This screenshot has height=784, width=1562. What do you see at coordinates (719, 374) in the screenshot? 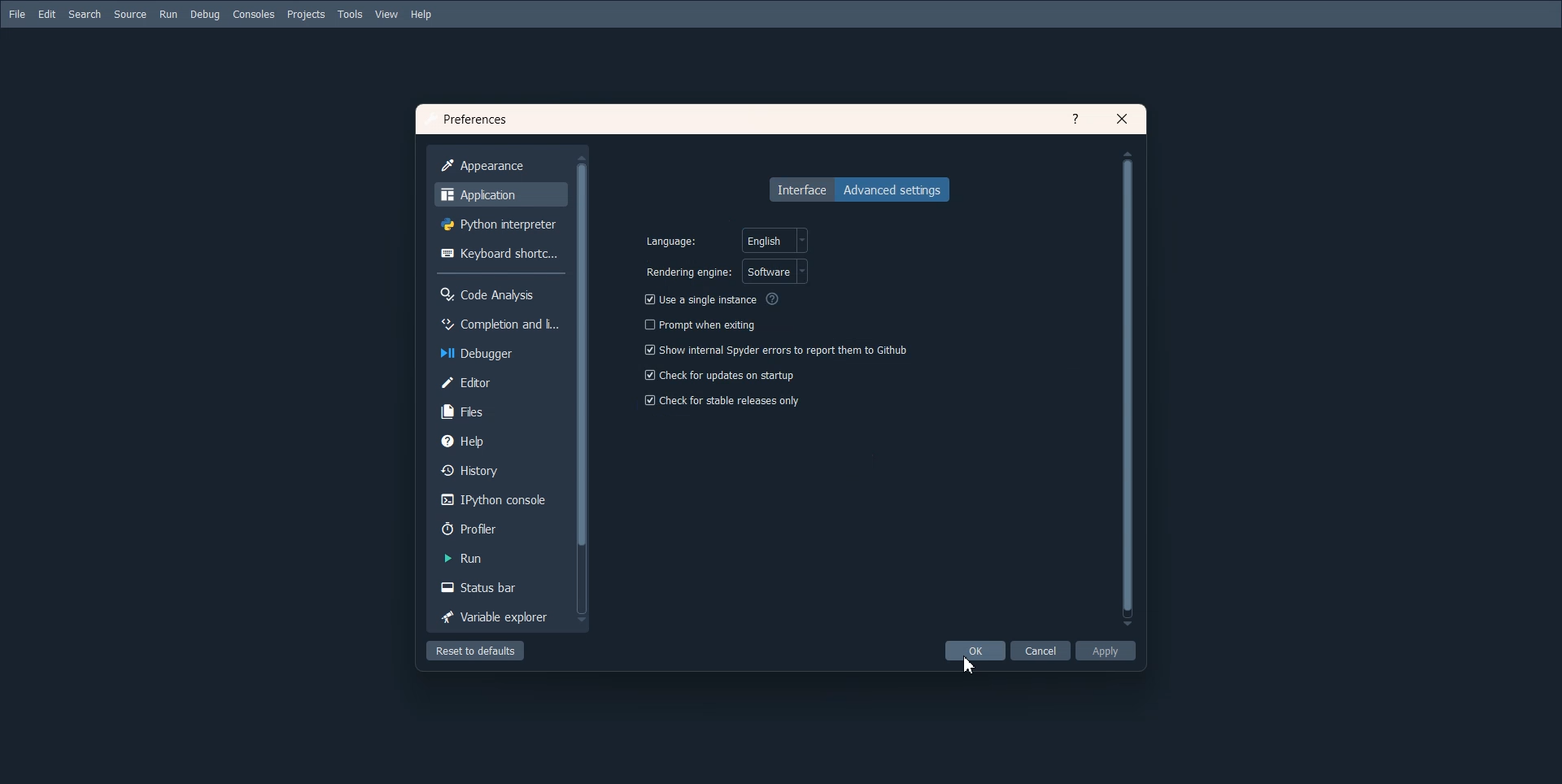
I see `Check for updates on startup` at bounding box center [719, 374].